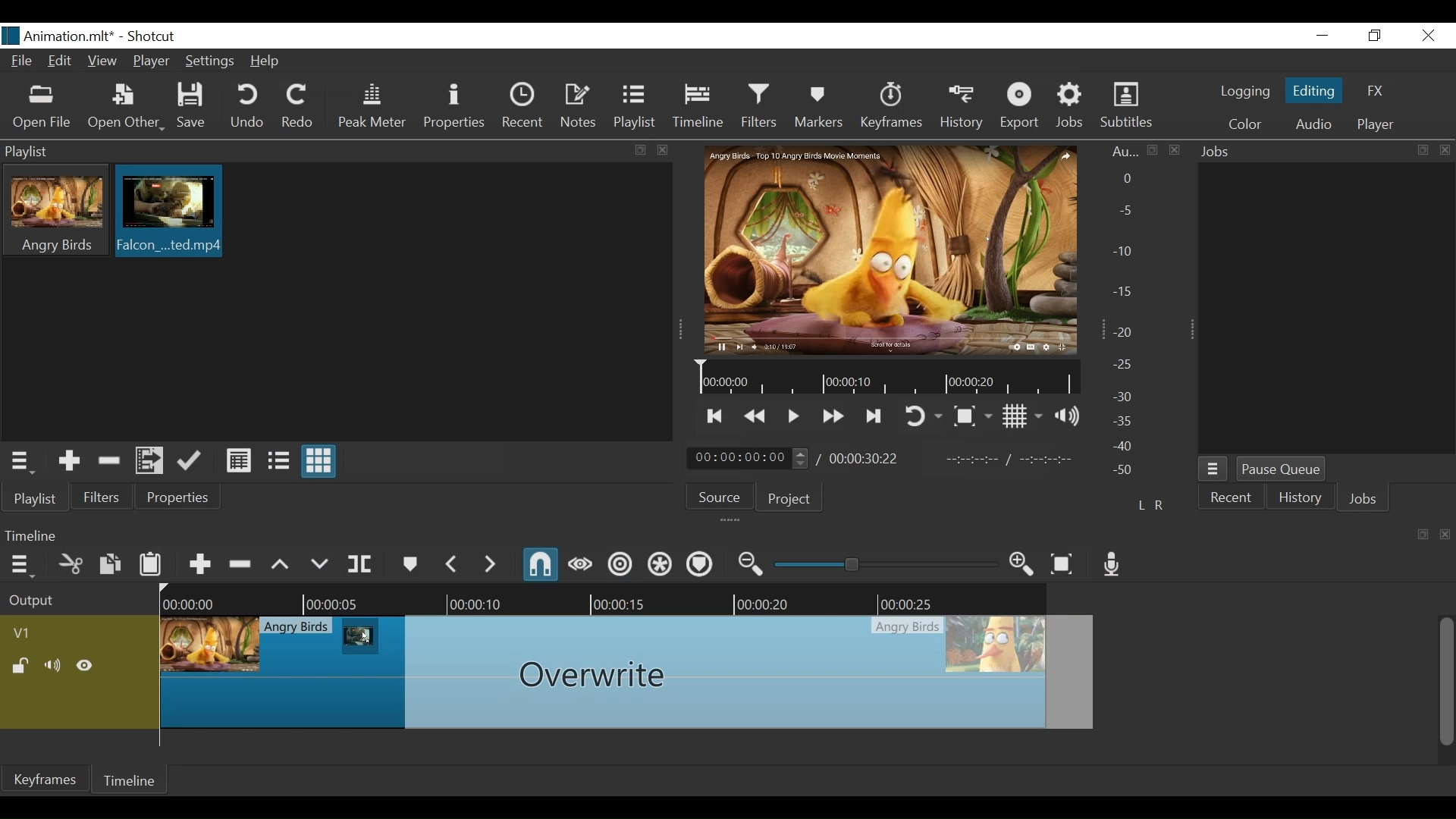 The image size is (1456, 819). Describe the element at coordinates (179, 209) in the screenshot. I see `Cursor` at that location.